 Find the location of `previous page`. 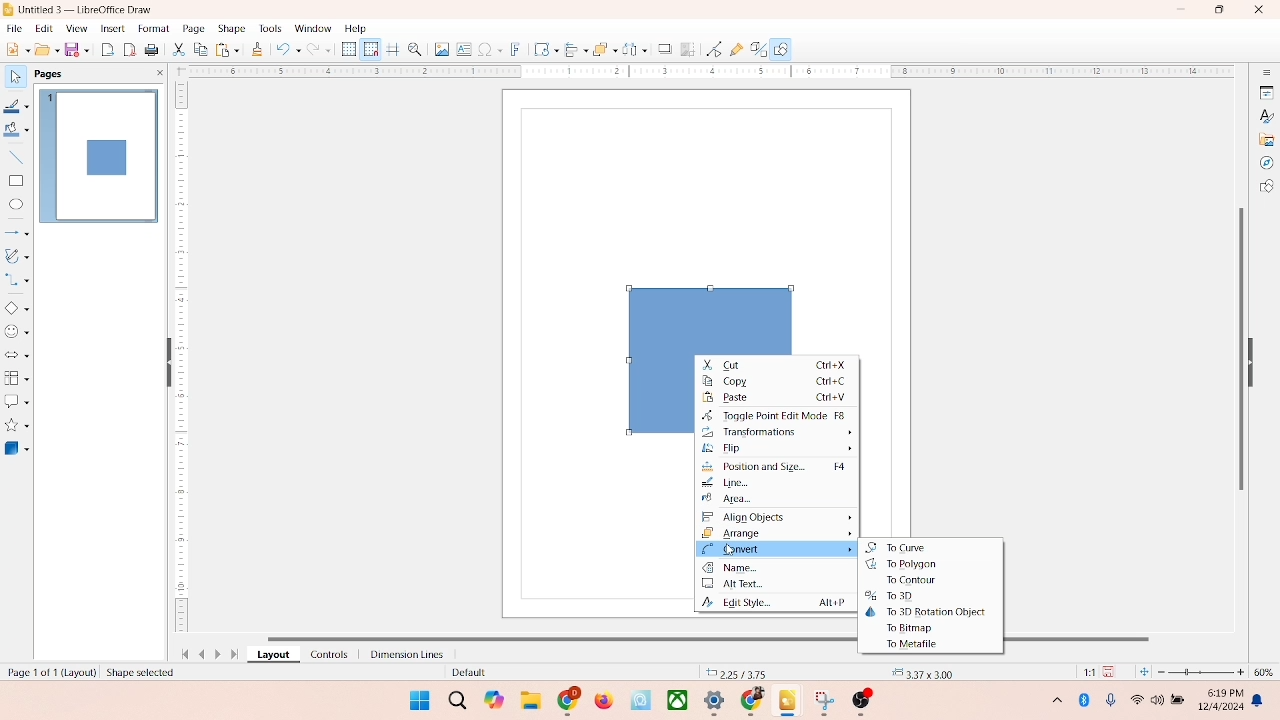

previous page is located at coordinates (202, 654).